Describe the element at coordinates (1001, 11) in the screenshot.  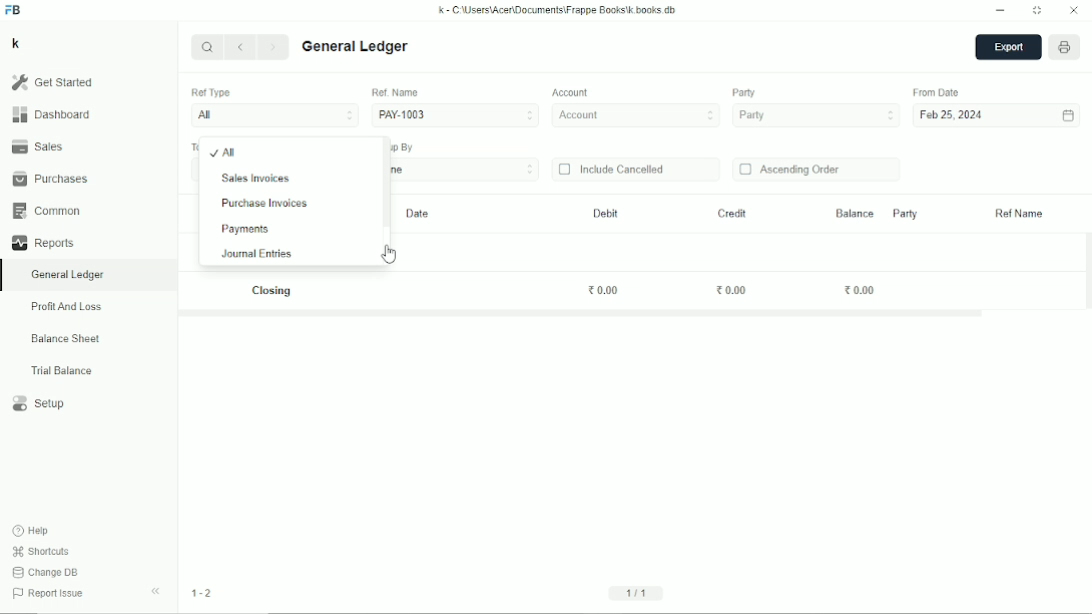
I see `Minimize` at that location.